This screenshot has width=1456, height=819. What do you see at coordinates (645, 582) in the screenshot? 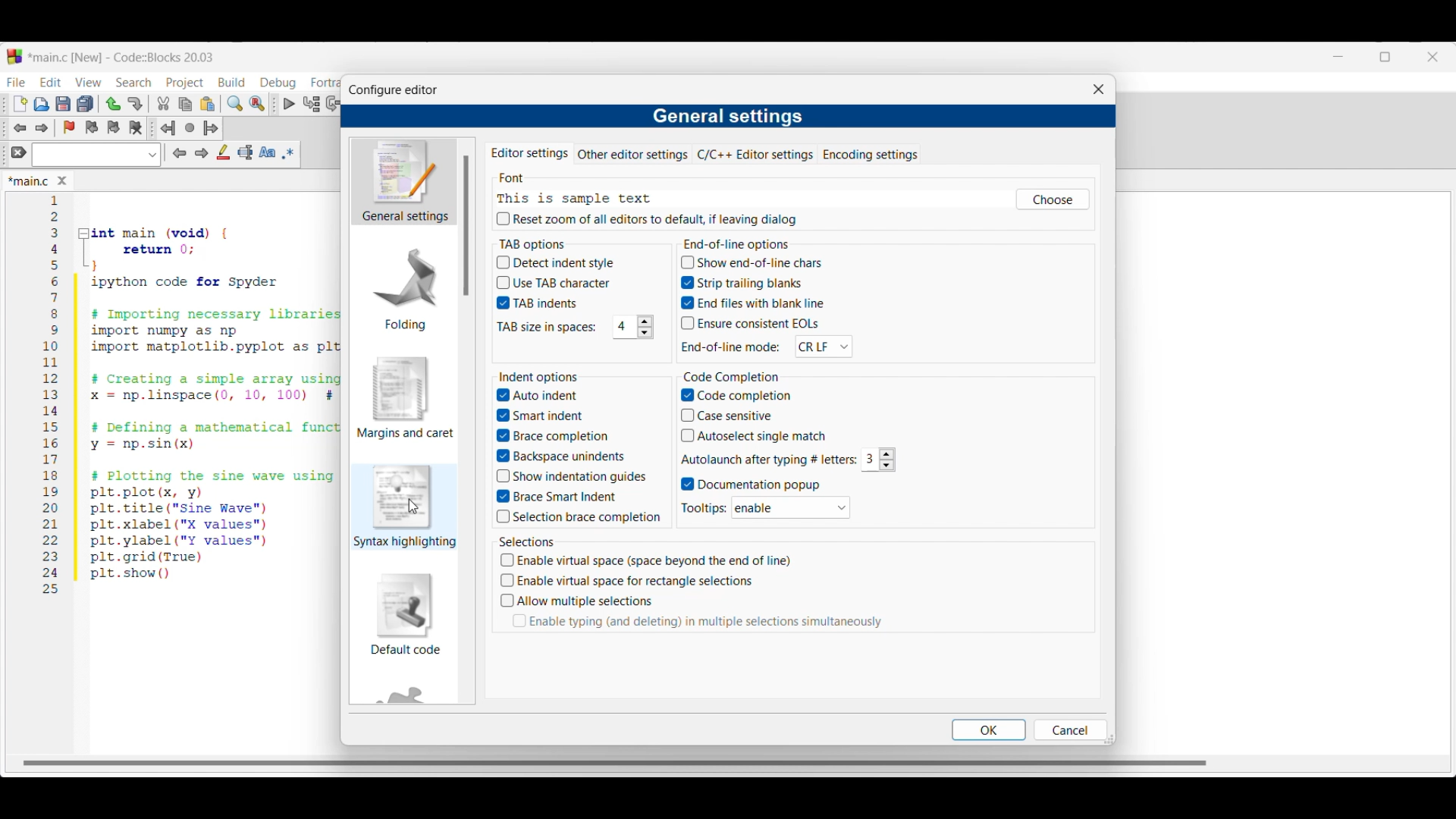
I see `Enable virtual space for rectangle selection` at bounding box center [645, 582].